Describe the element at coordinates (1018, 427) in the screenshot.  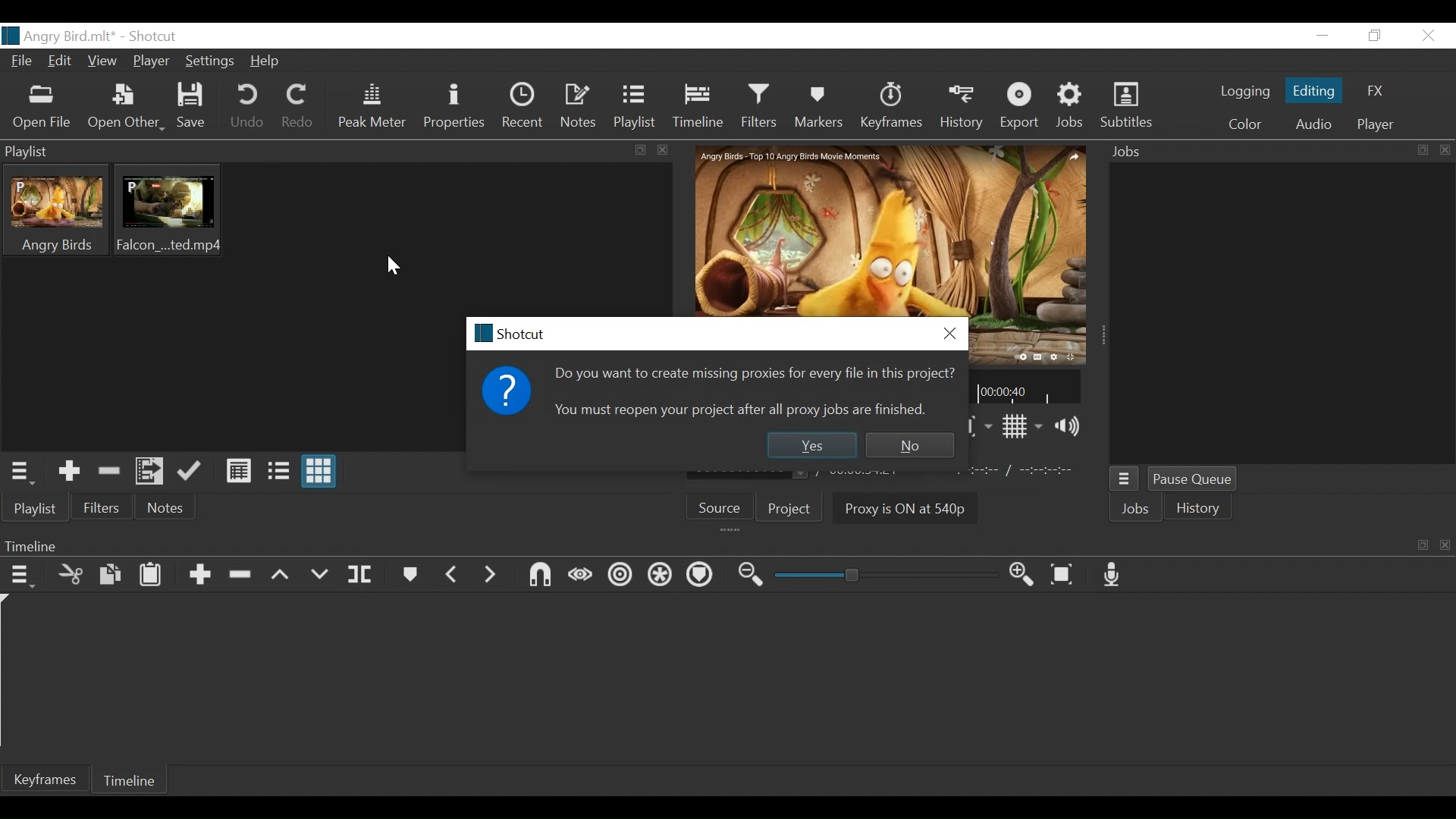
I see `Toggle Display grid on player` at that location.